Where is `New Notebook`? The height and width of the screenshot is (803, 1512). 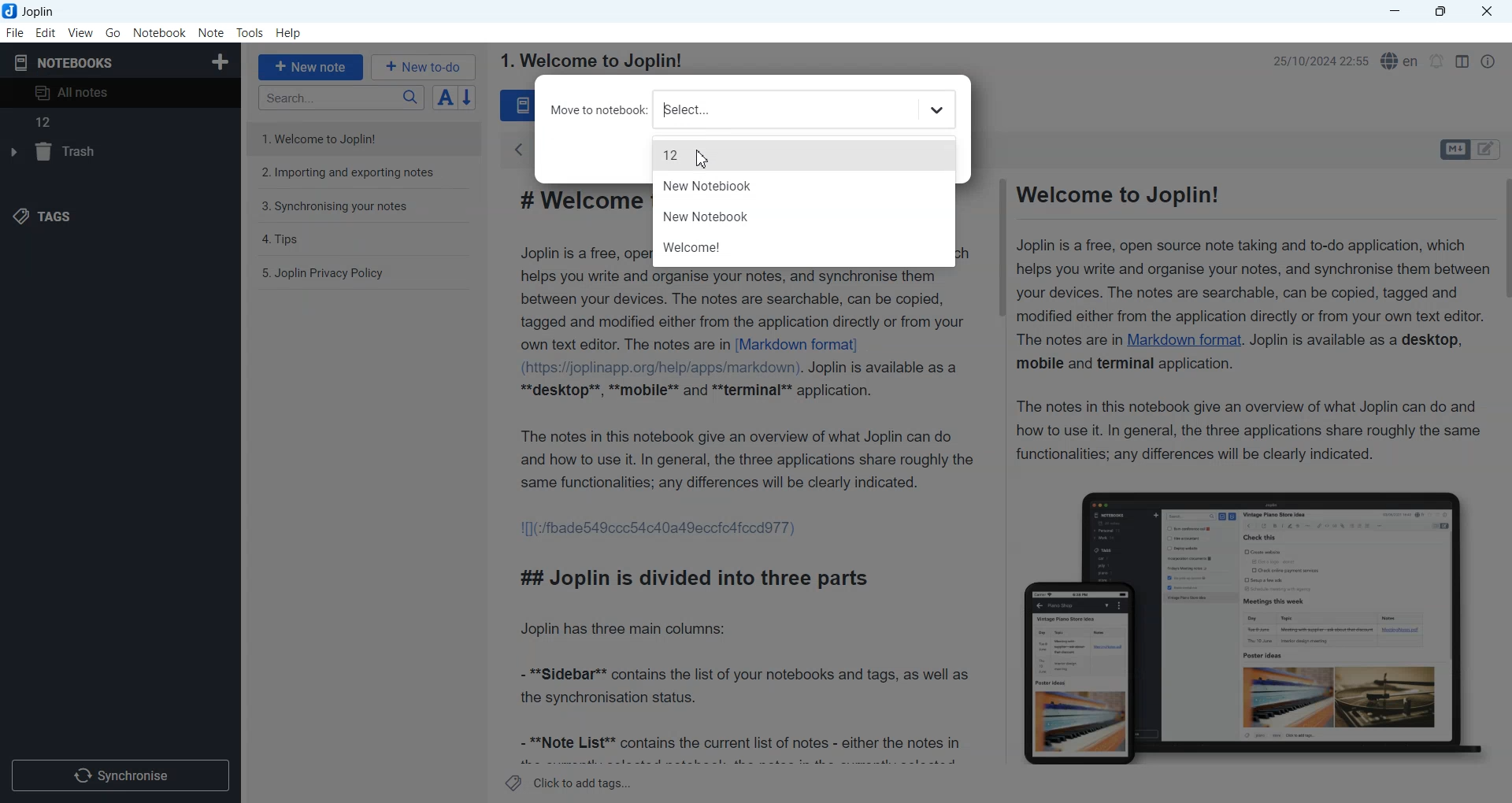
New Notebook is located at coordinates (806, 187).